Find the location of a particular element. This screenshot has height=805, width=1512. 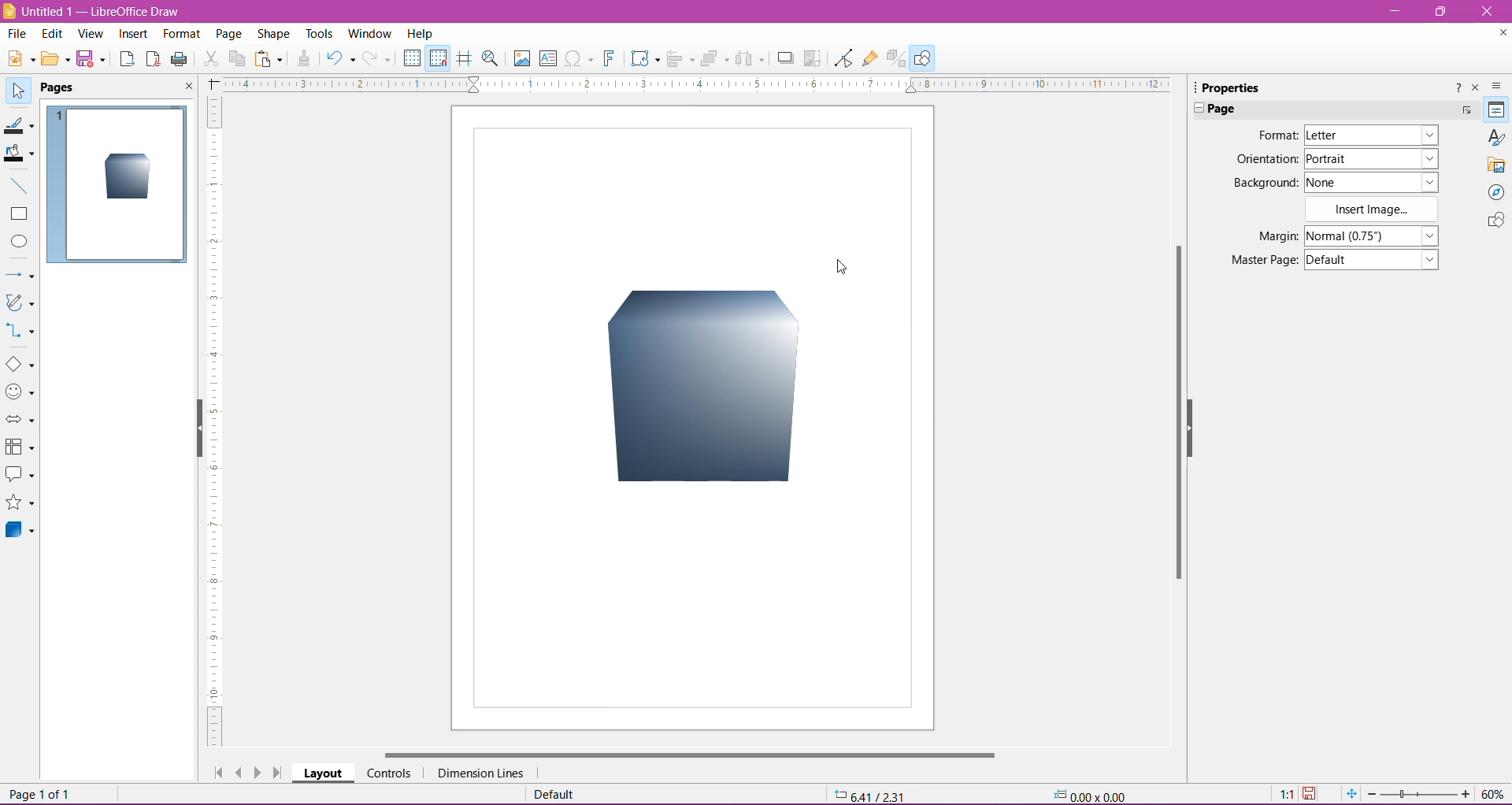

Open is located at coordinates (54, 60).